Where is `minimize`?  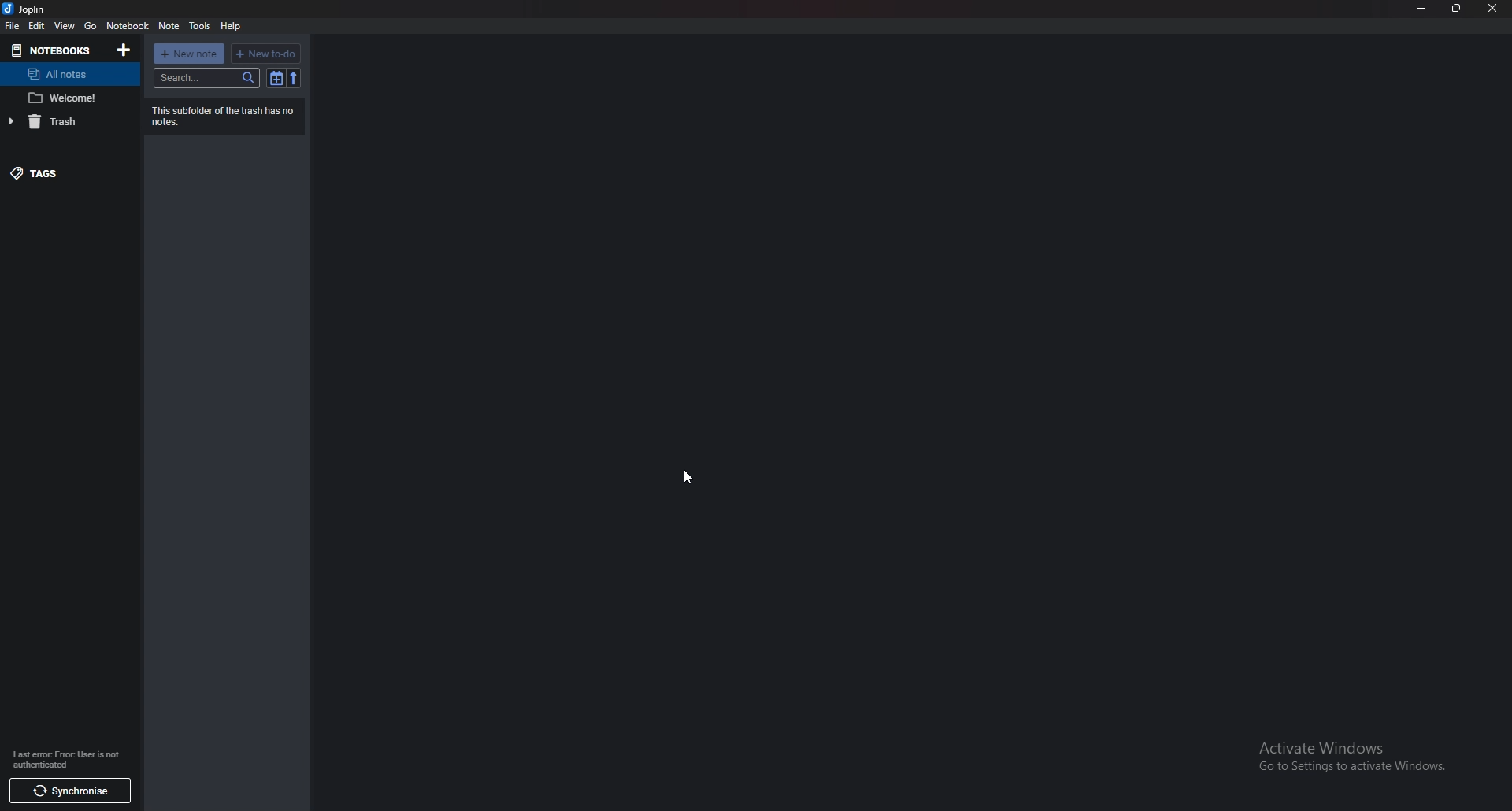
minimize is located at coordinates (1422, 8).